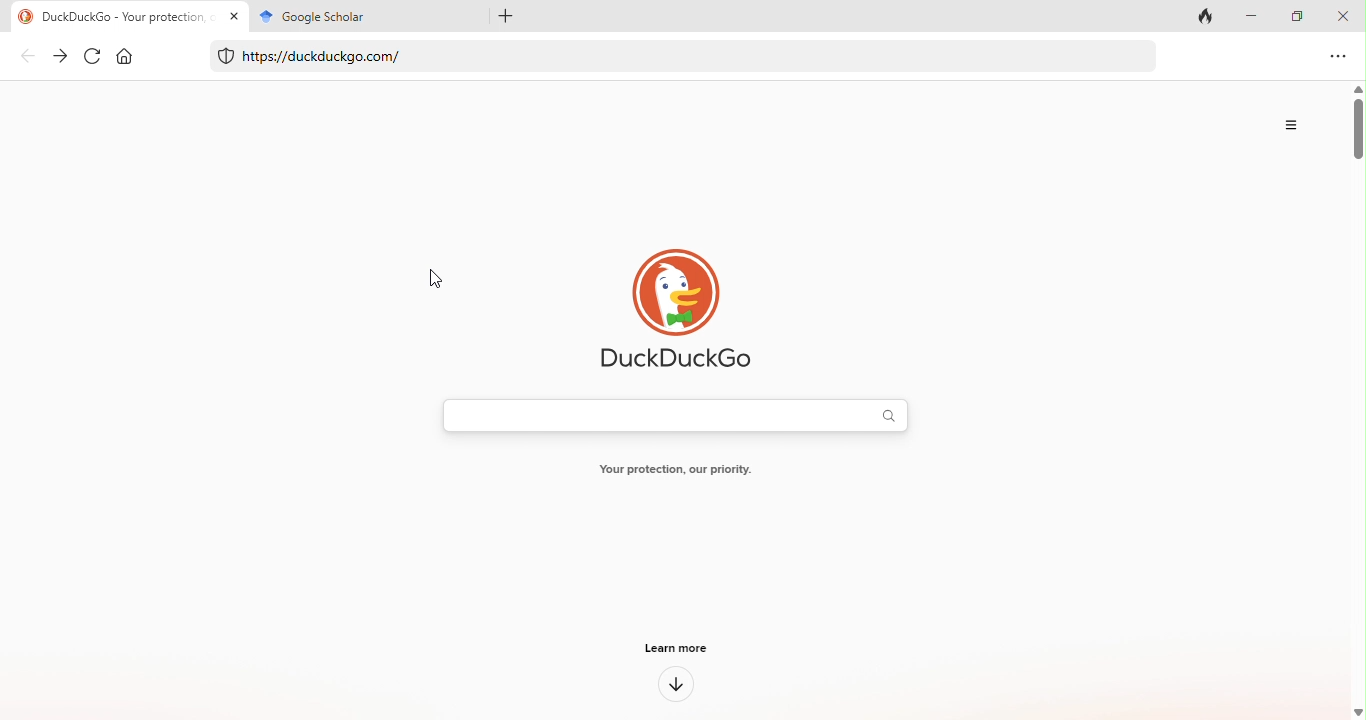  What do you see at coordinates (1339, 56) in the screenshot?
I see `options` at bounding box center [1339, 56].